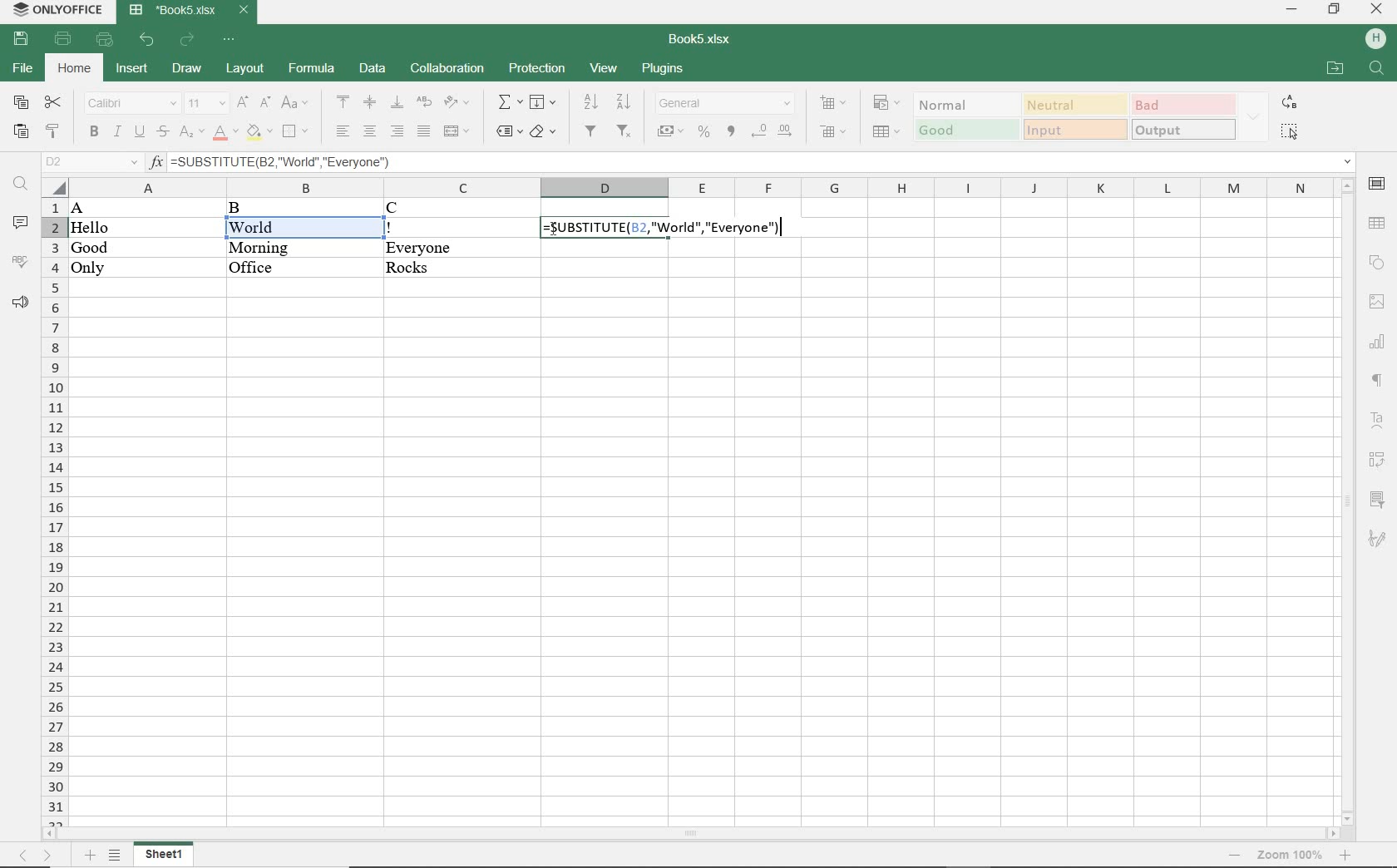  What do you see at coordinates (837, 132) in the screenshot?
I see `delete cells` at bounding box center [837, 132].